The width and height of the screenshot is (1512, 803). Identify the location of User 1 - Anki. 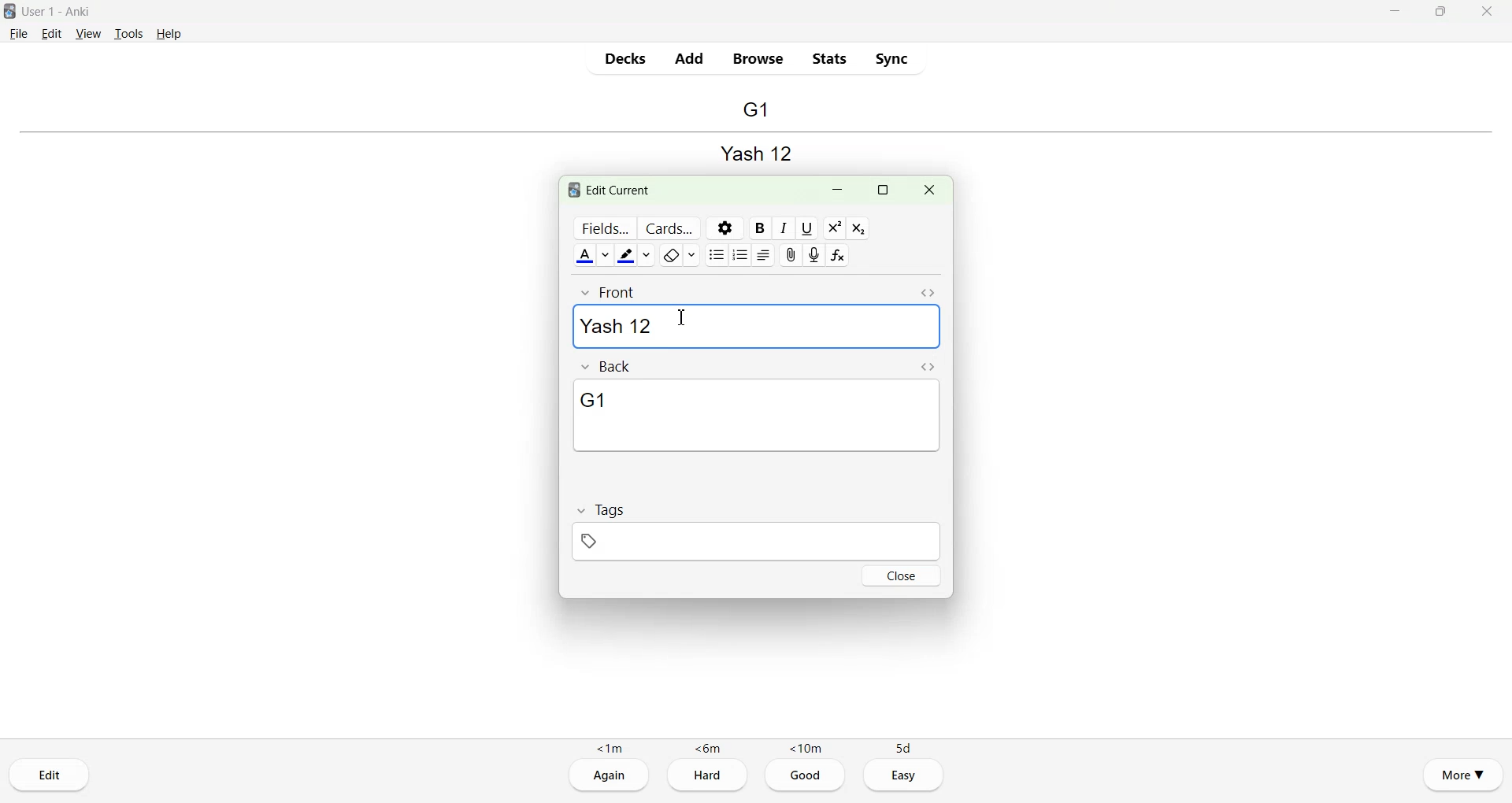
(66, 12).